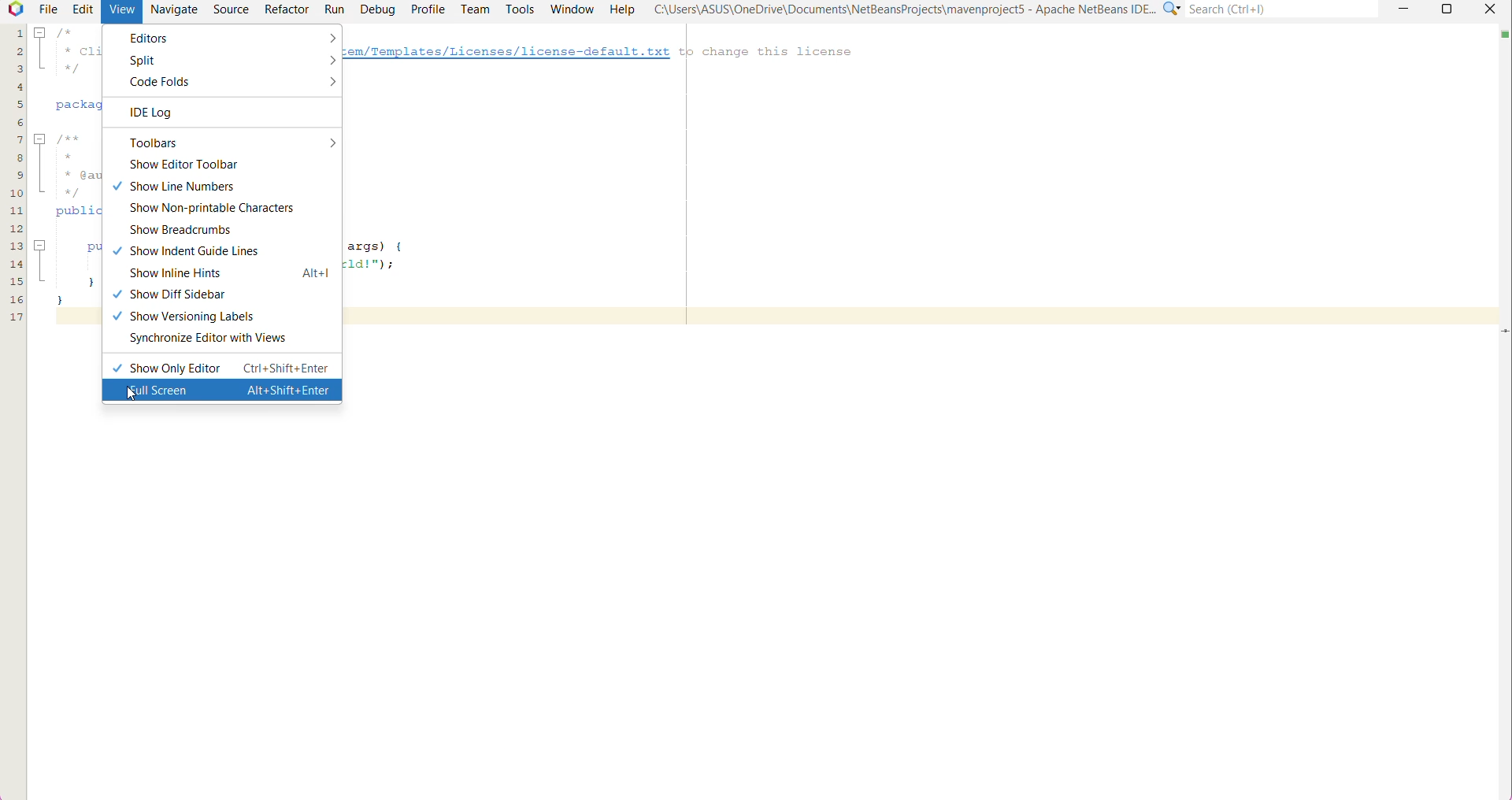 The height and width of the screenshot is (800, 1512). I want to click on Help, so click(621, 9).